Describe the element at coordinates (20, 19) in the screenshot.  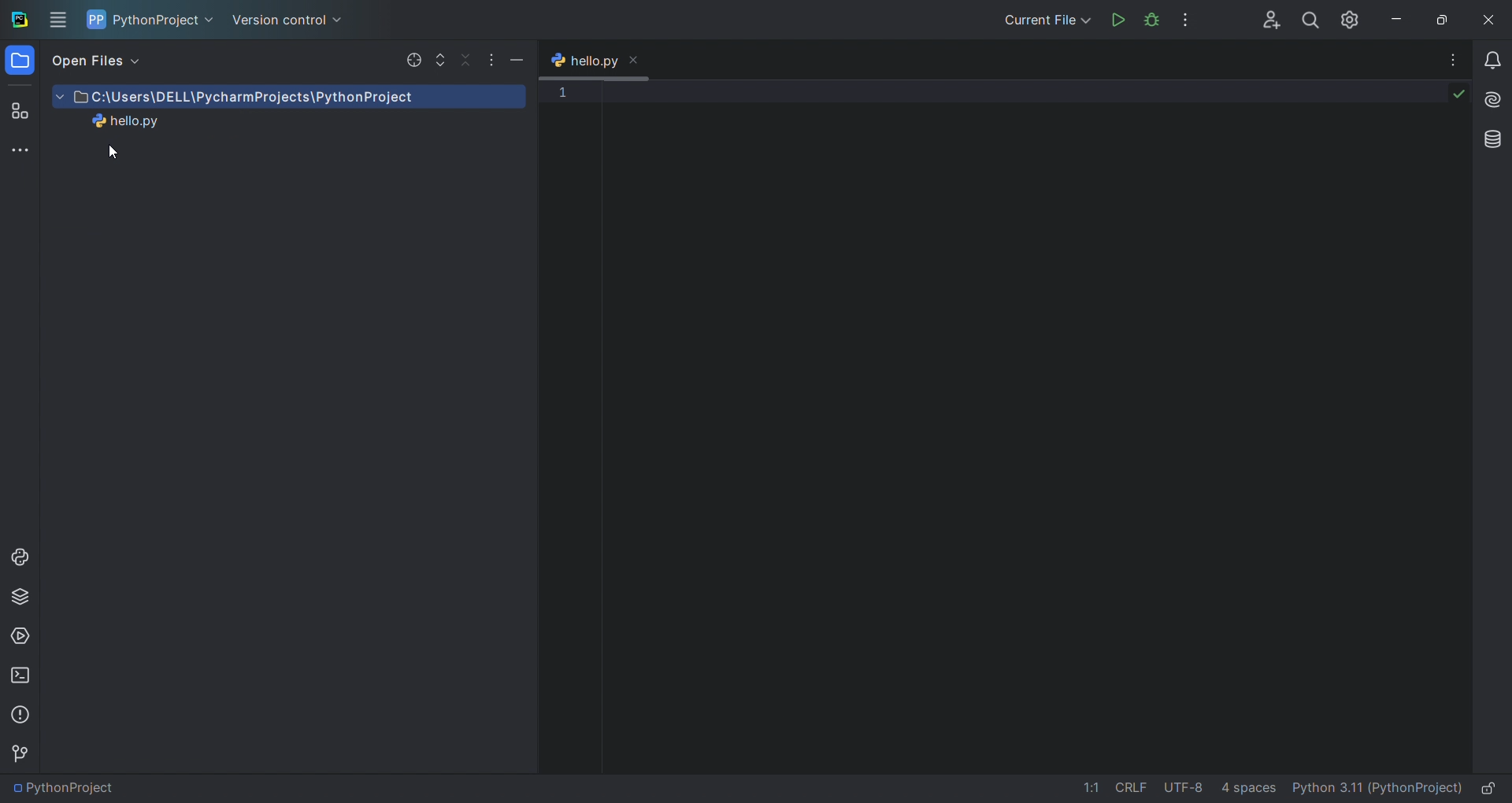
I see `logo` at that location.